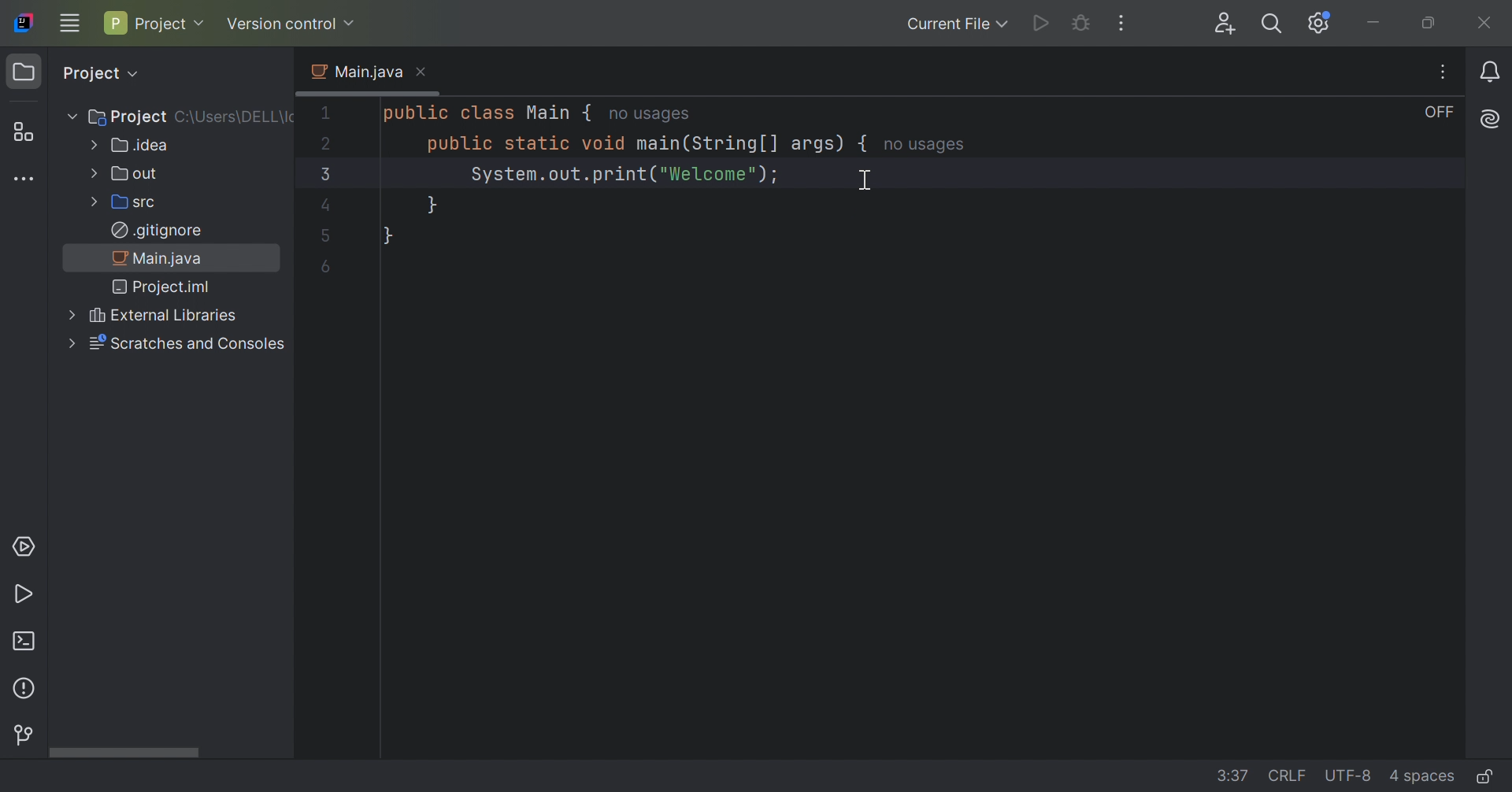 The image size is (1512, 792). I want to click on Main menu, so click(71, 22).